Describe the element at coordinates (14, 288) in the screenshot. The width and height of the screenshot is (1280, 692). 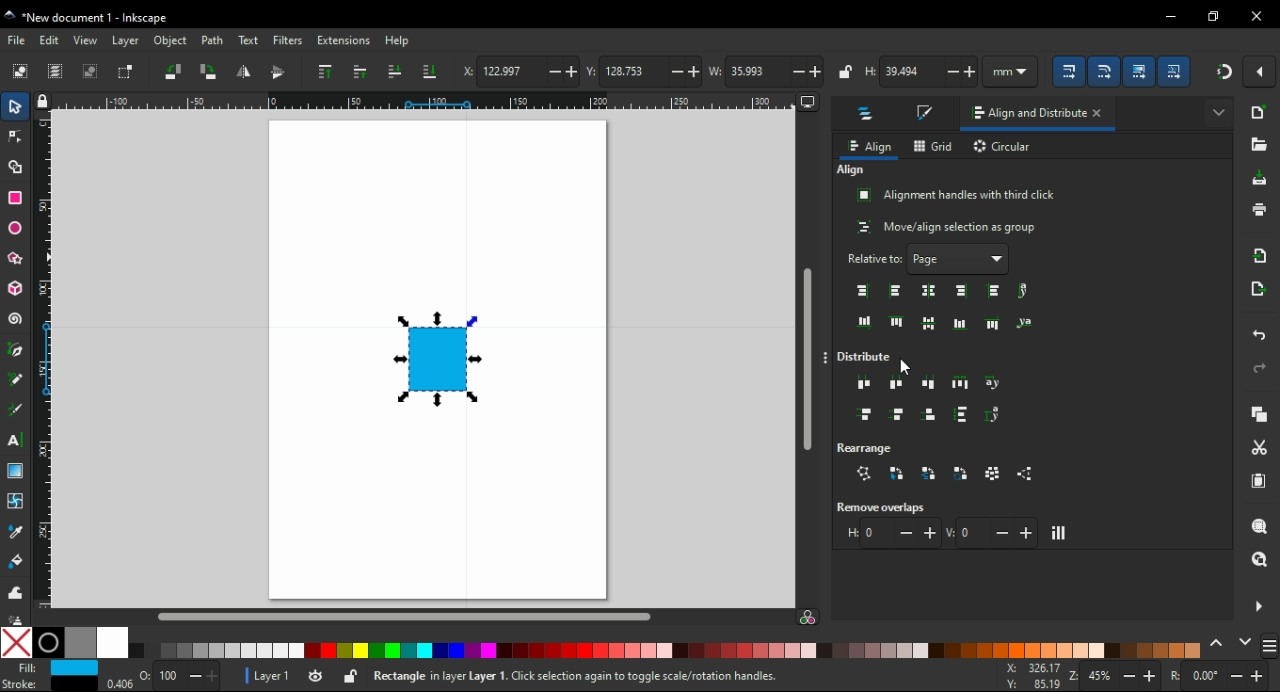
I see `3D box tool` at that location.